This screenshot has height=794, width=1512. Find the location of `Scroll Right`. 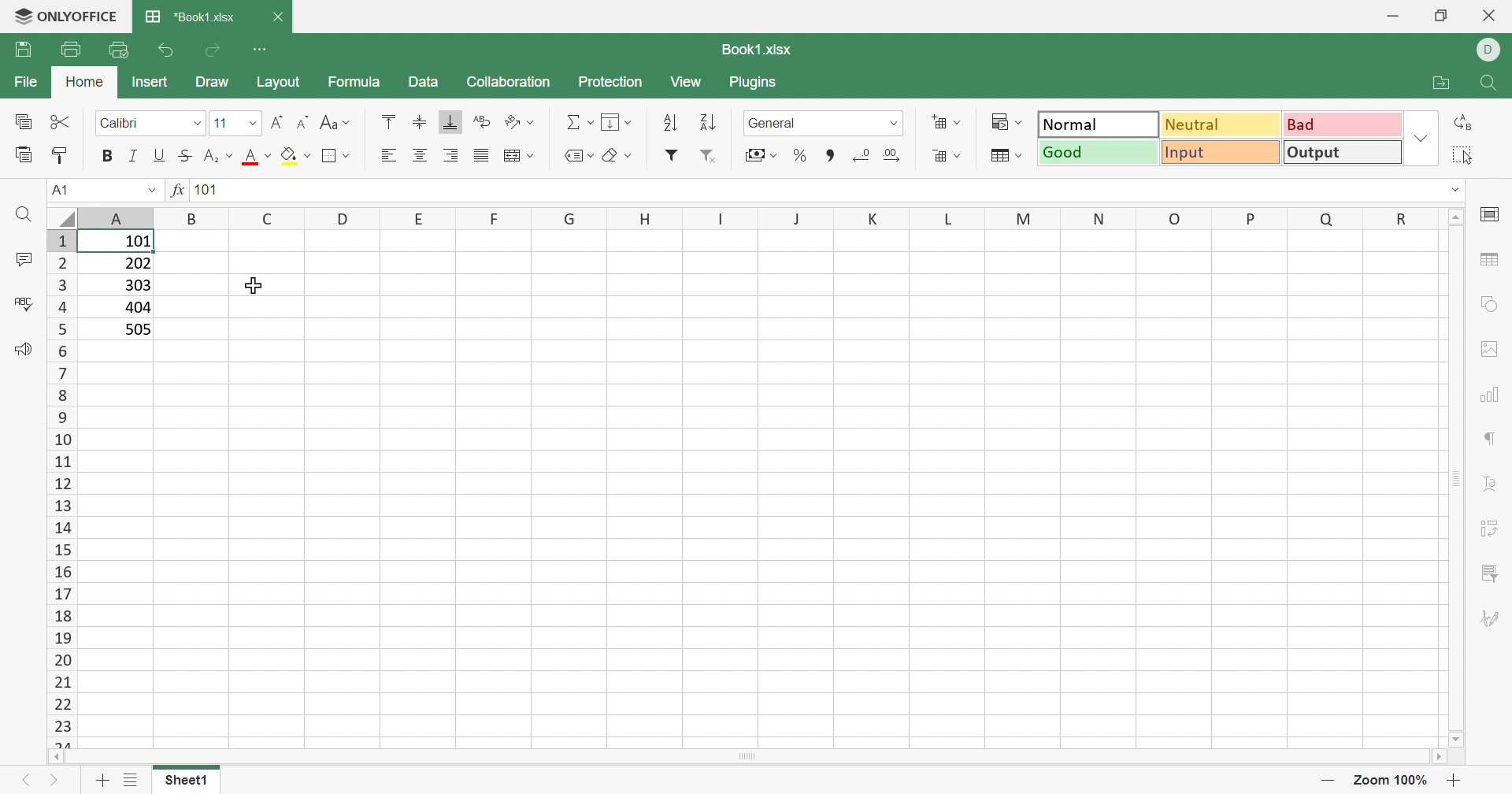

Scroll Right is located at coordinates (1449, 760).